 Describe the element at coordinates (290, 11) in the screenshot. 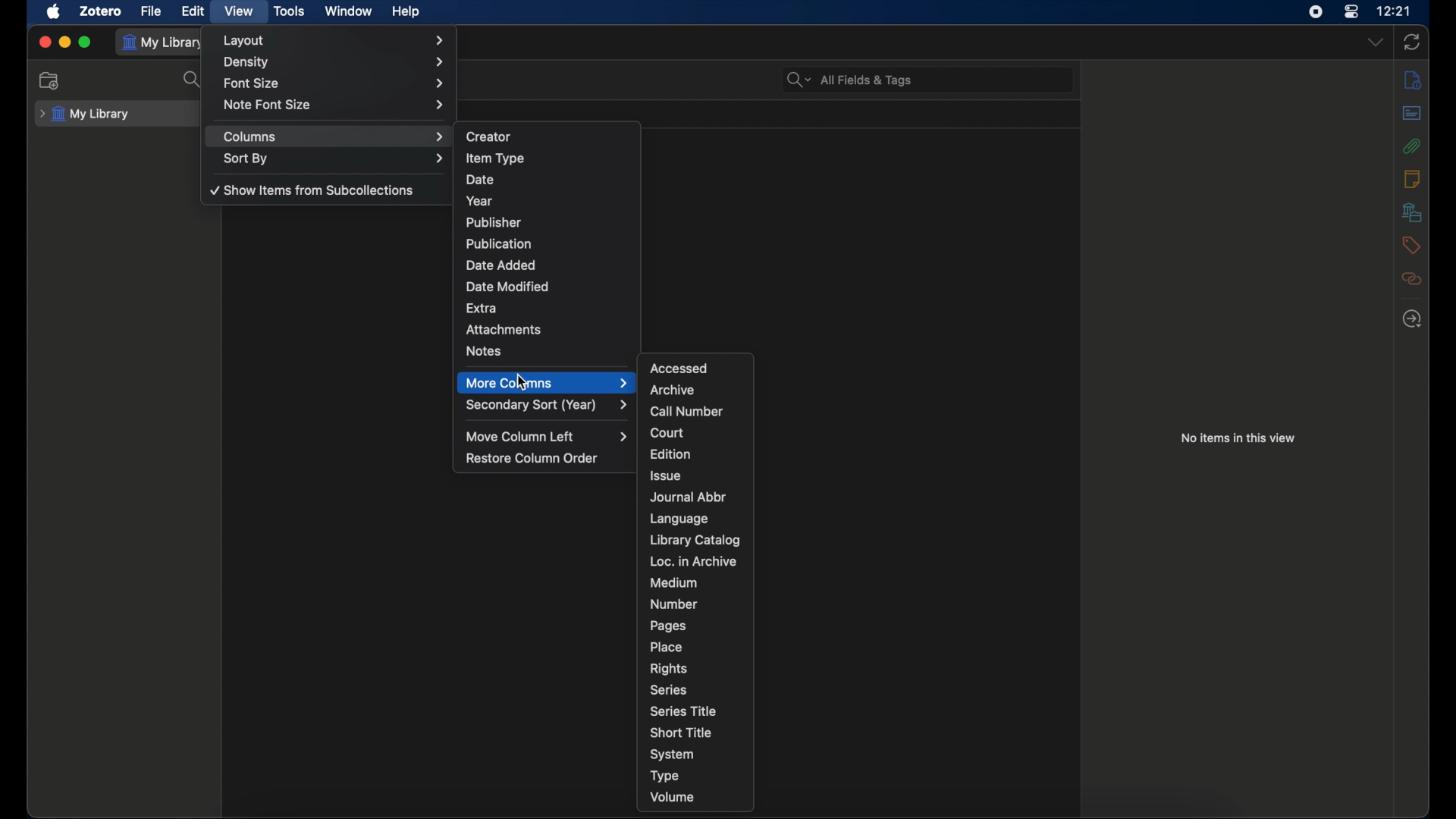

I see `tools` at that location.